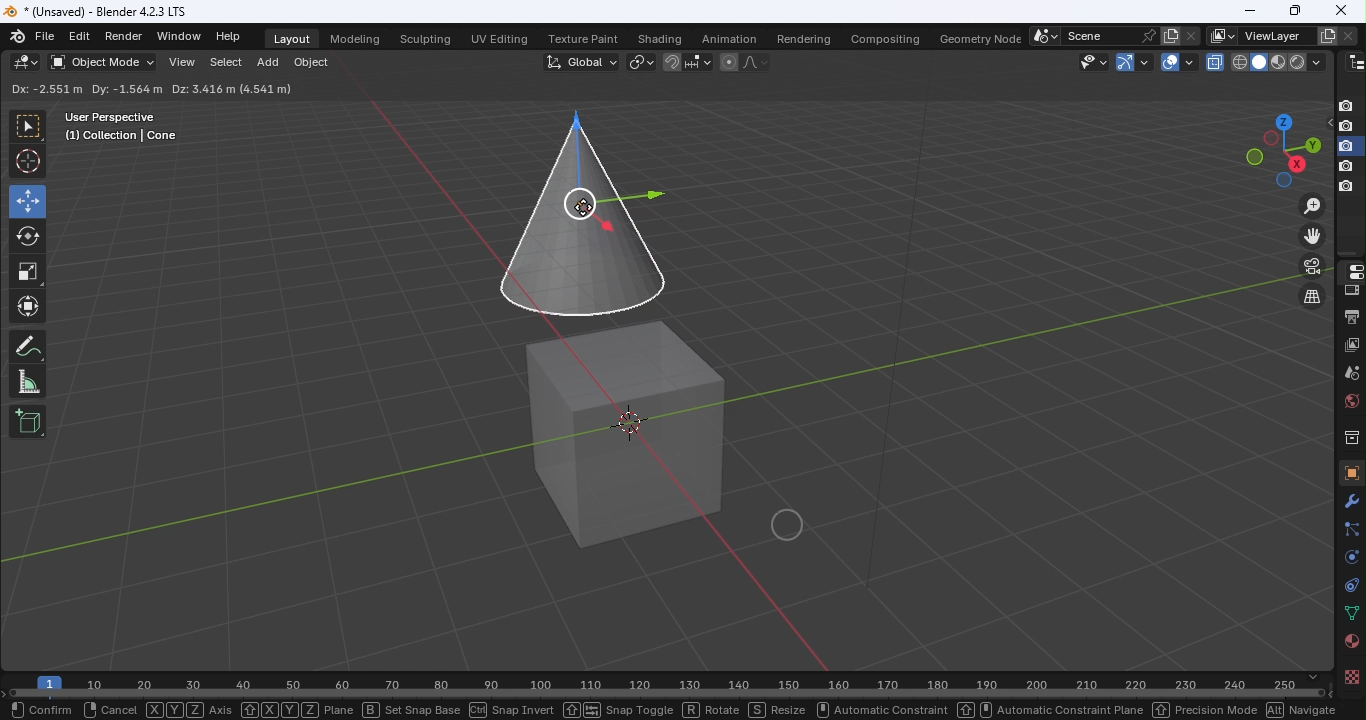 This screenshot has width=1366, height=720. Describe the element at coordinates (1222, 36) in the screenshot. I see `The active workspace view layer showing in the window` at that location.